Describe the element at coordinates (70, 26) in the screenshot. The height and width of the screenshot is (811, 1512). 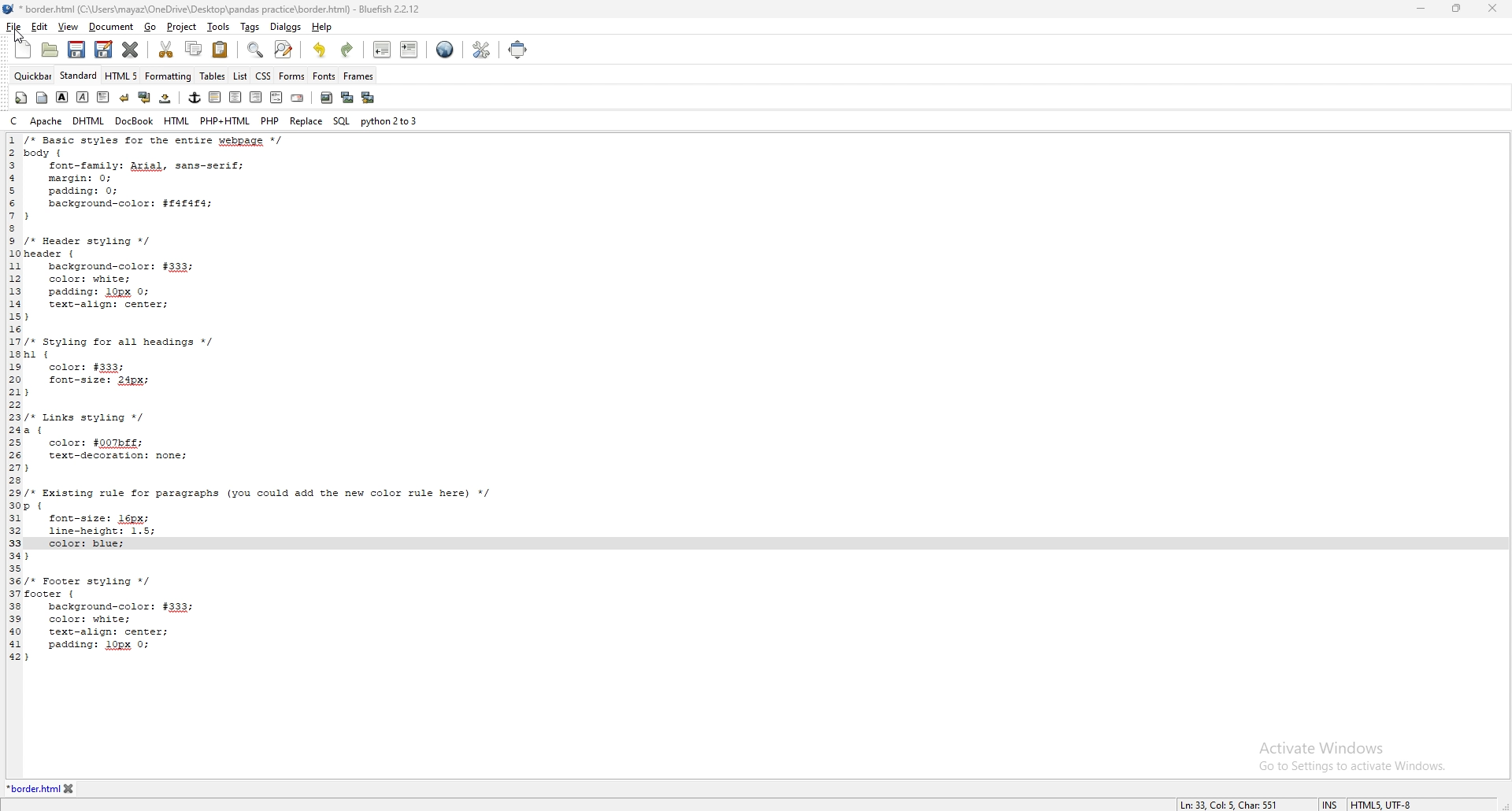
I see `view` at that location.